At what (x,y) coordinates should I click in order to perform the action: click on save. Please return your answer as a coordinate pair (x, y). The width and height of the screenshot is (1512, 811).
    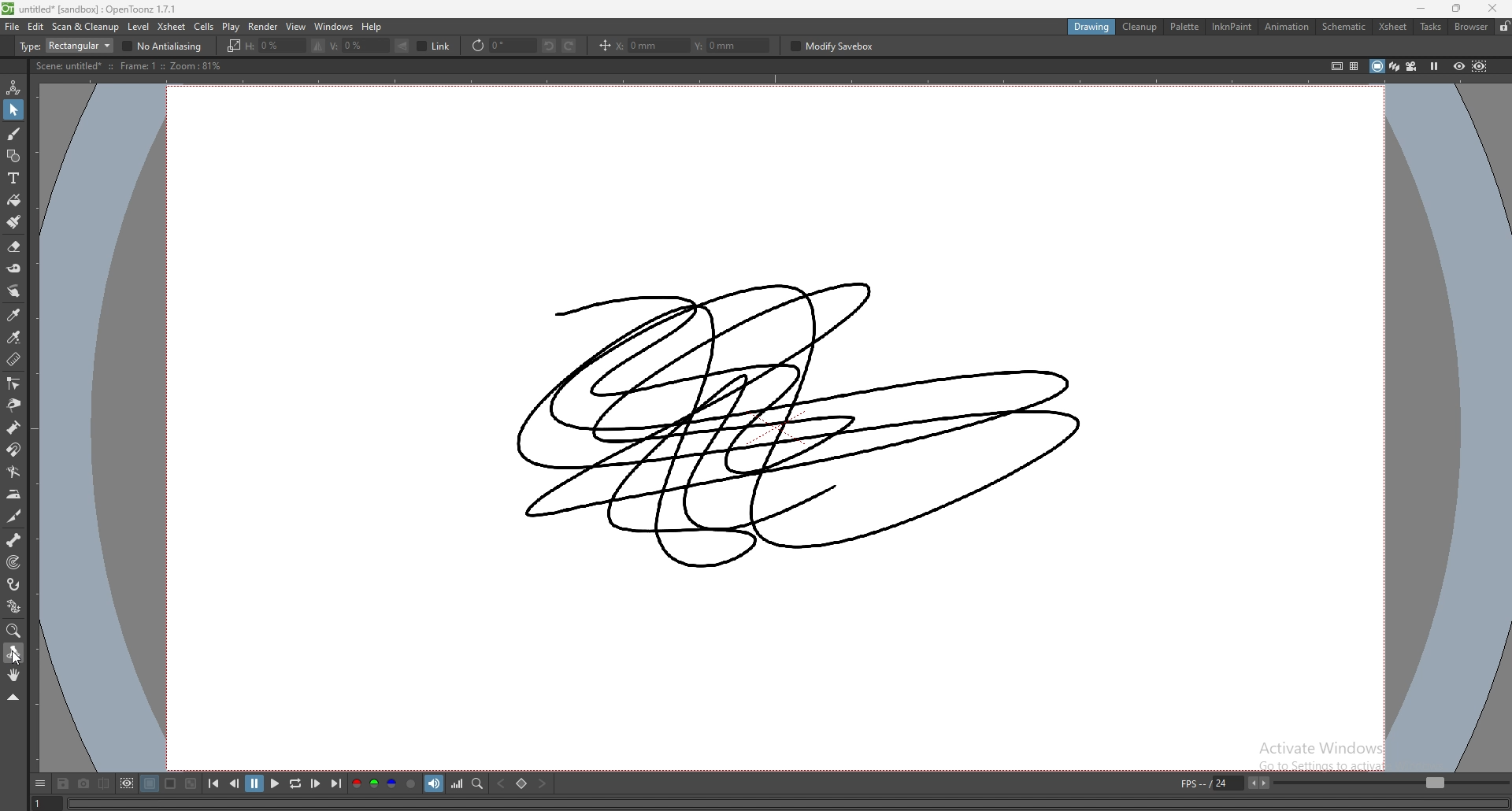
    Looking at the image, I should click on (62, 783).